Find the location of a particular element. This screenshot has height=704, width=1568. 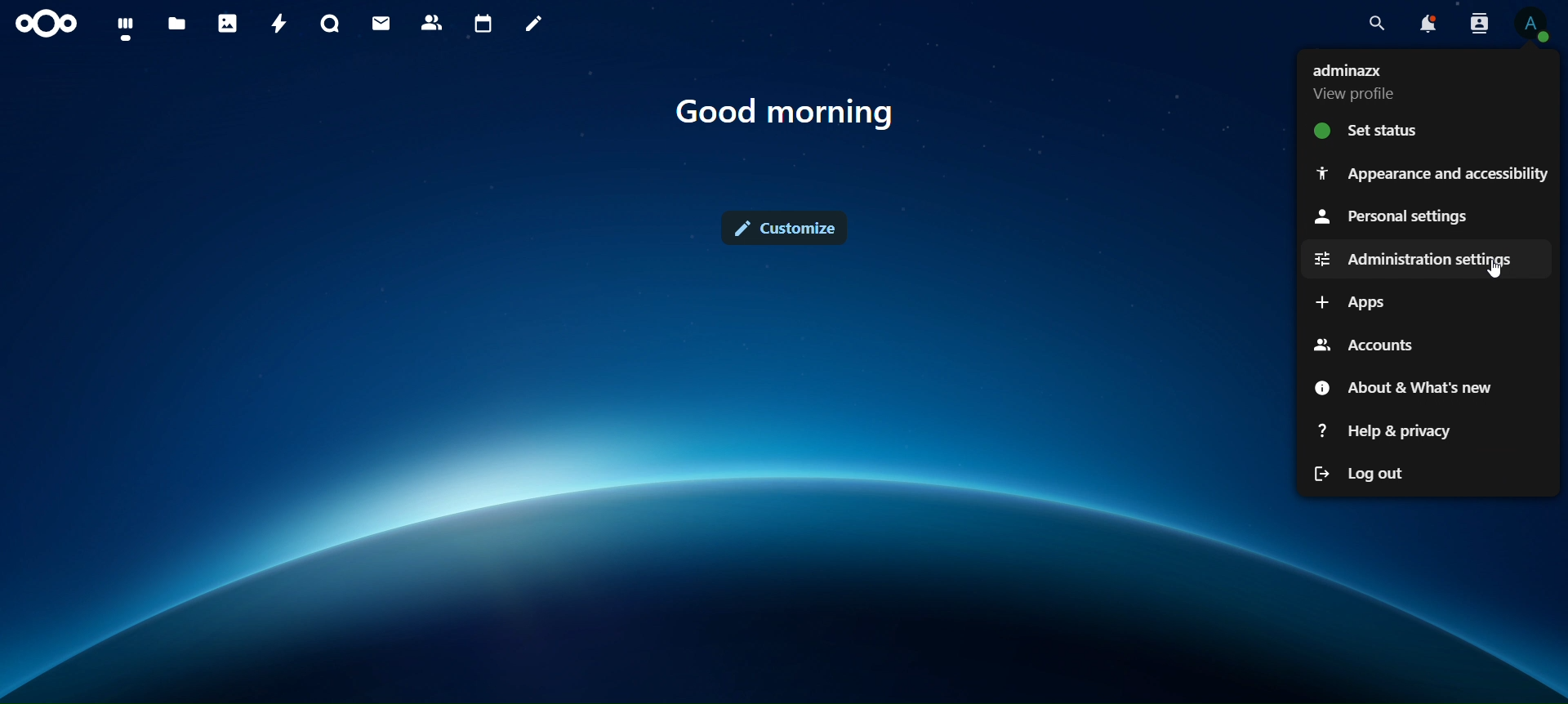

search contacts is located at coordinates (1474, 23).